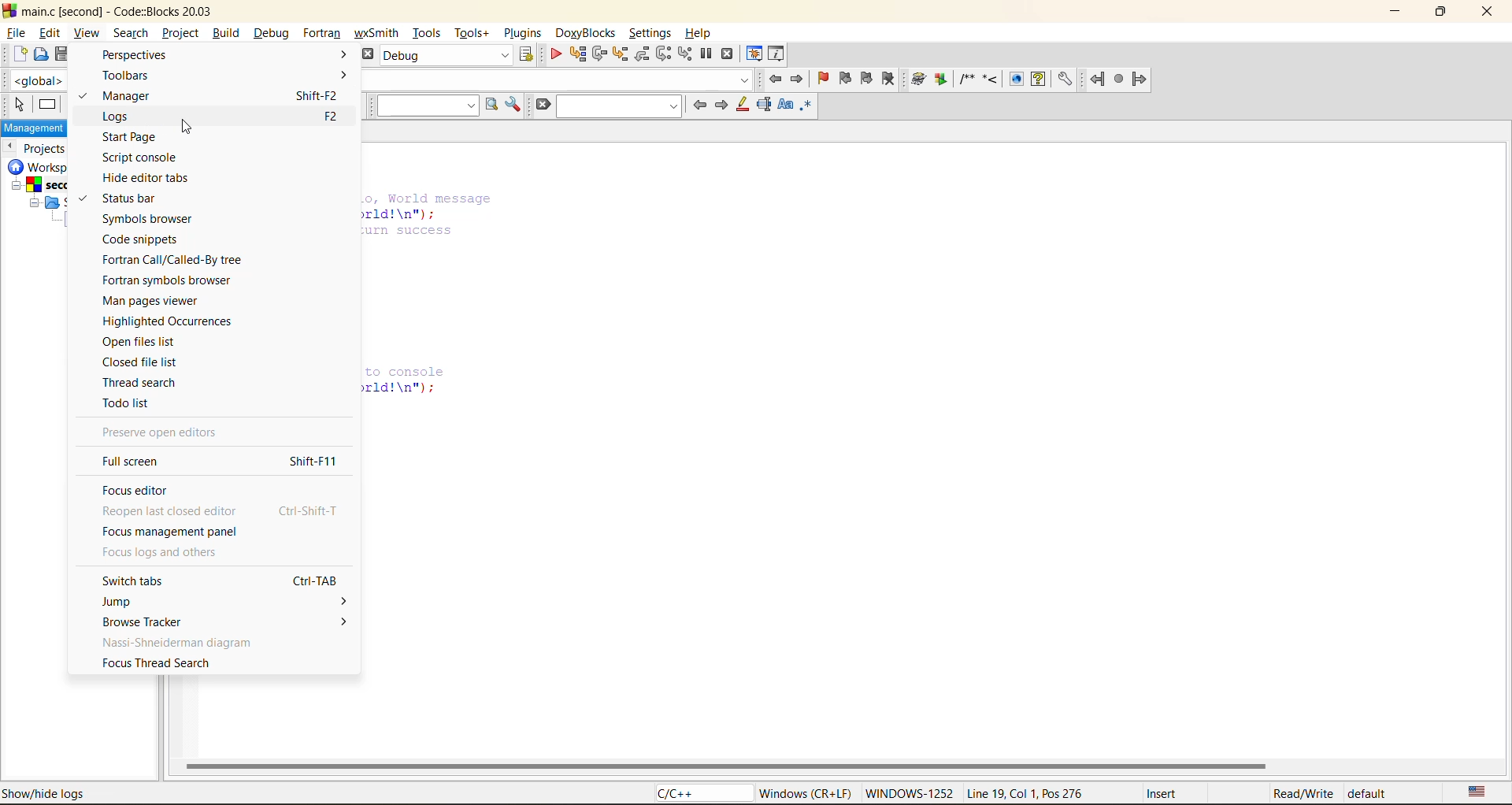 The image size is (1512, 805). Describe the element at coordinates (153, 180) in the screenshot. I see `hide editor tabs` at that location.